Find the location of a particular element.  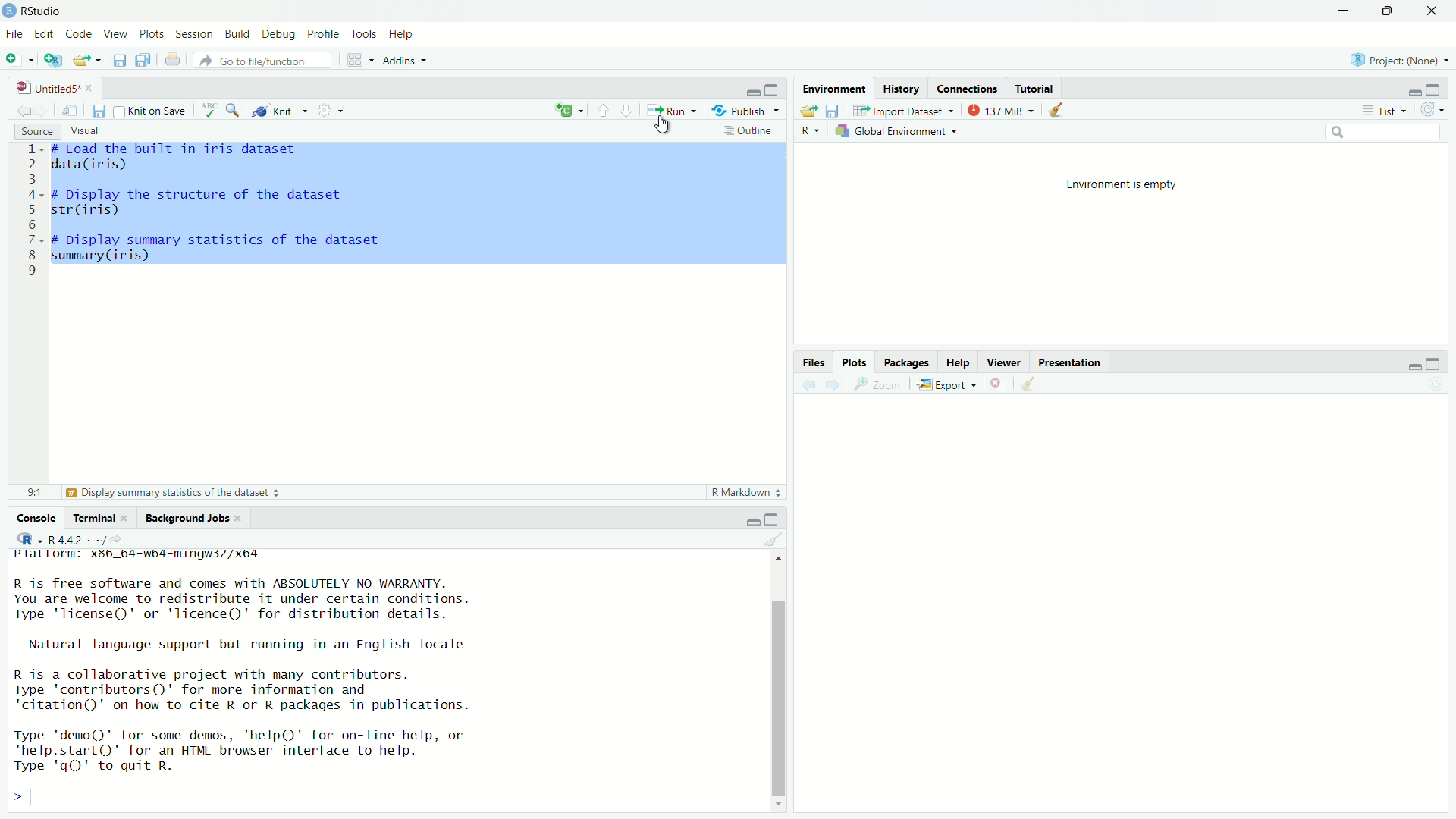

Connections is located at coordinates (967, 87).